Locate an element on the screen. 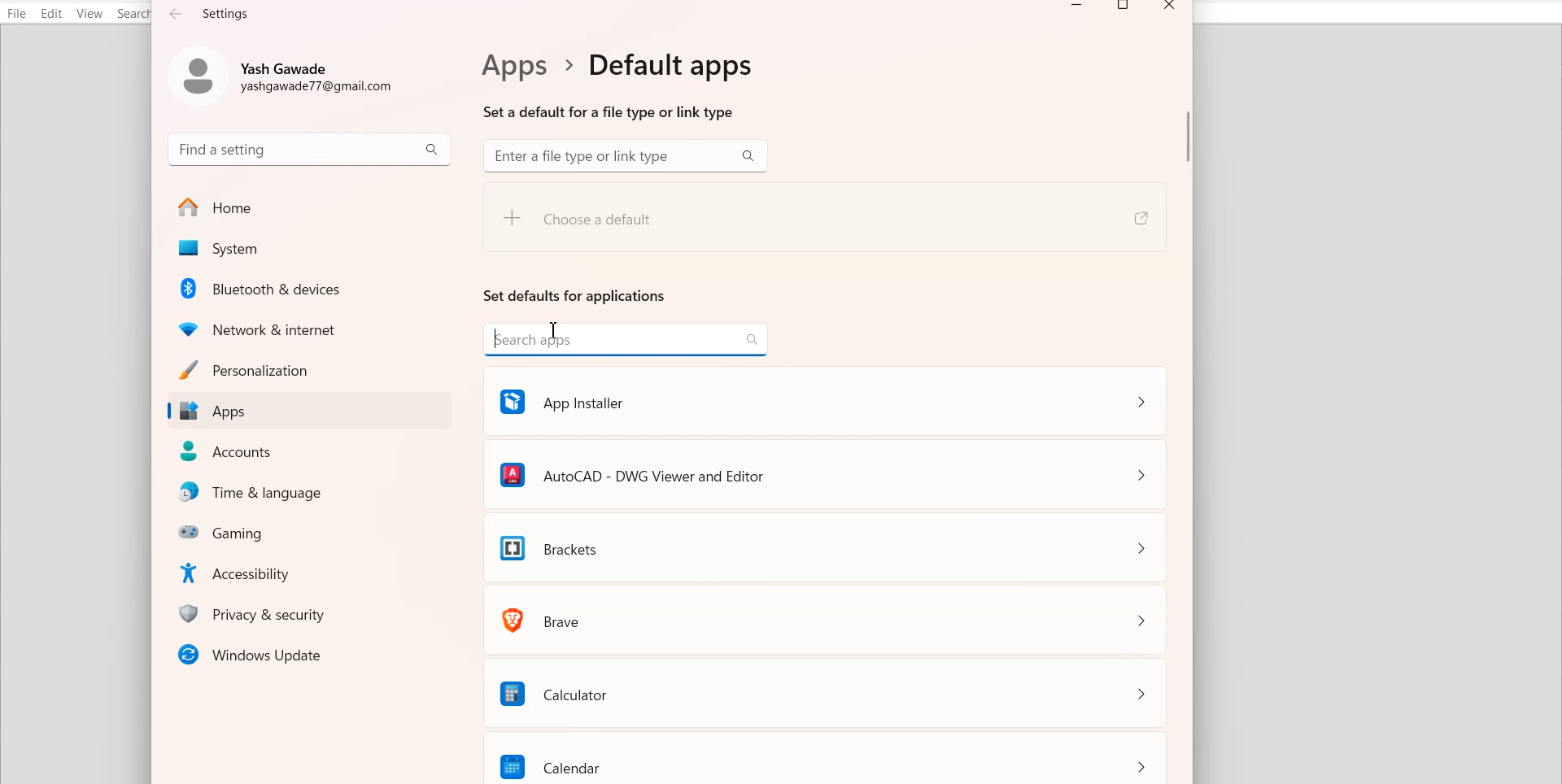  Network & Internet is located at coordinates (311, 327).